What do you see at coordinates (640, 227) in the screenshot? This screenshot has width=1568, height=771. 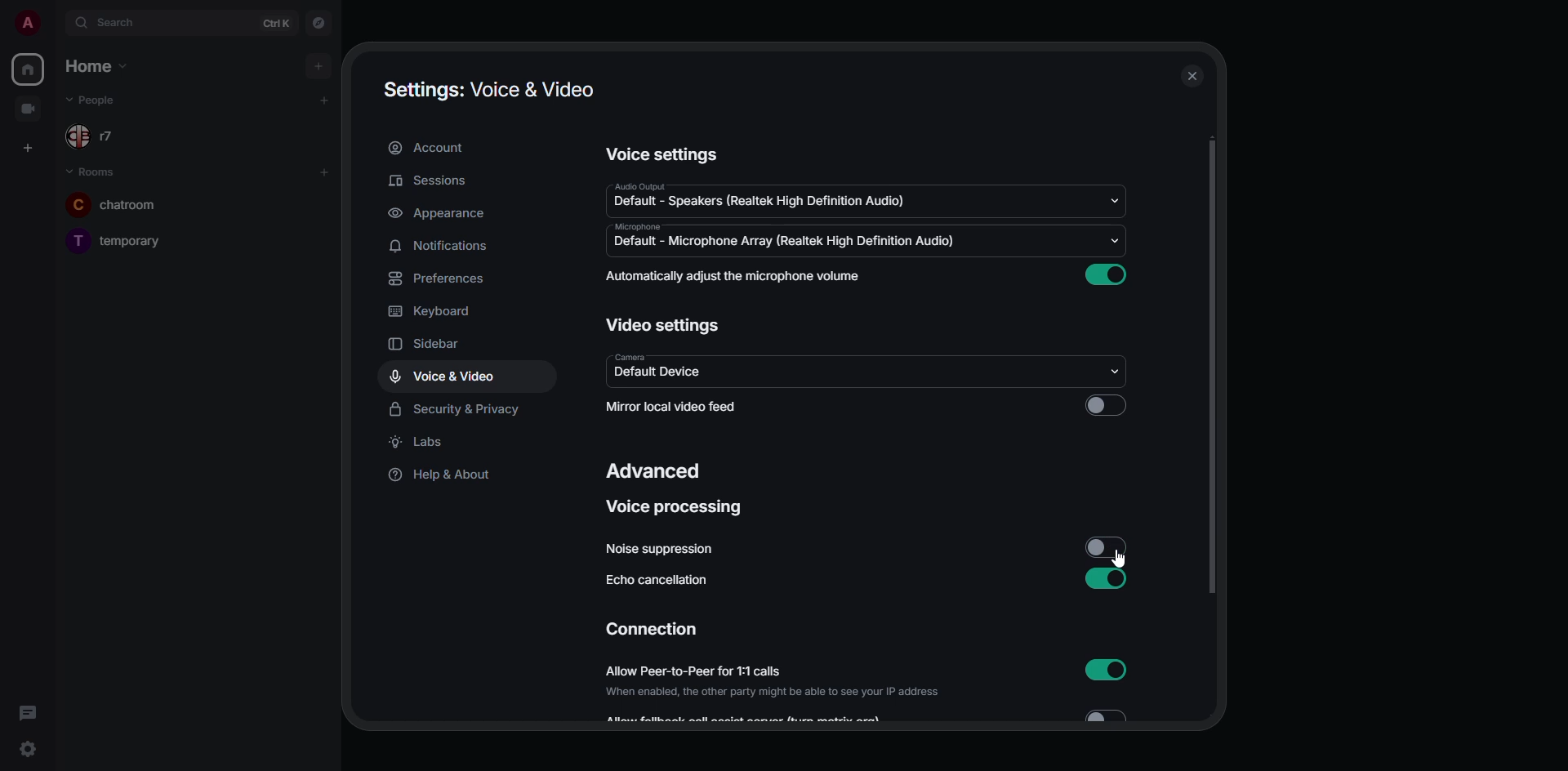 I see `microphone` at bounding box center [640, 227].